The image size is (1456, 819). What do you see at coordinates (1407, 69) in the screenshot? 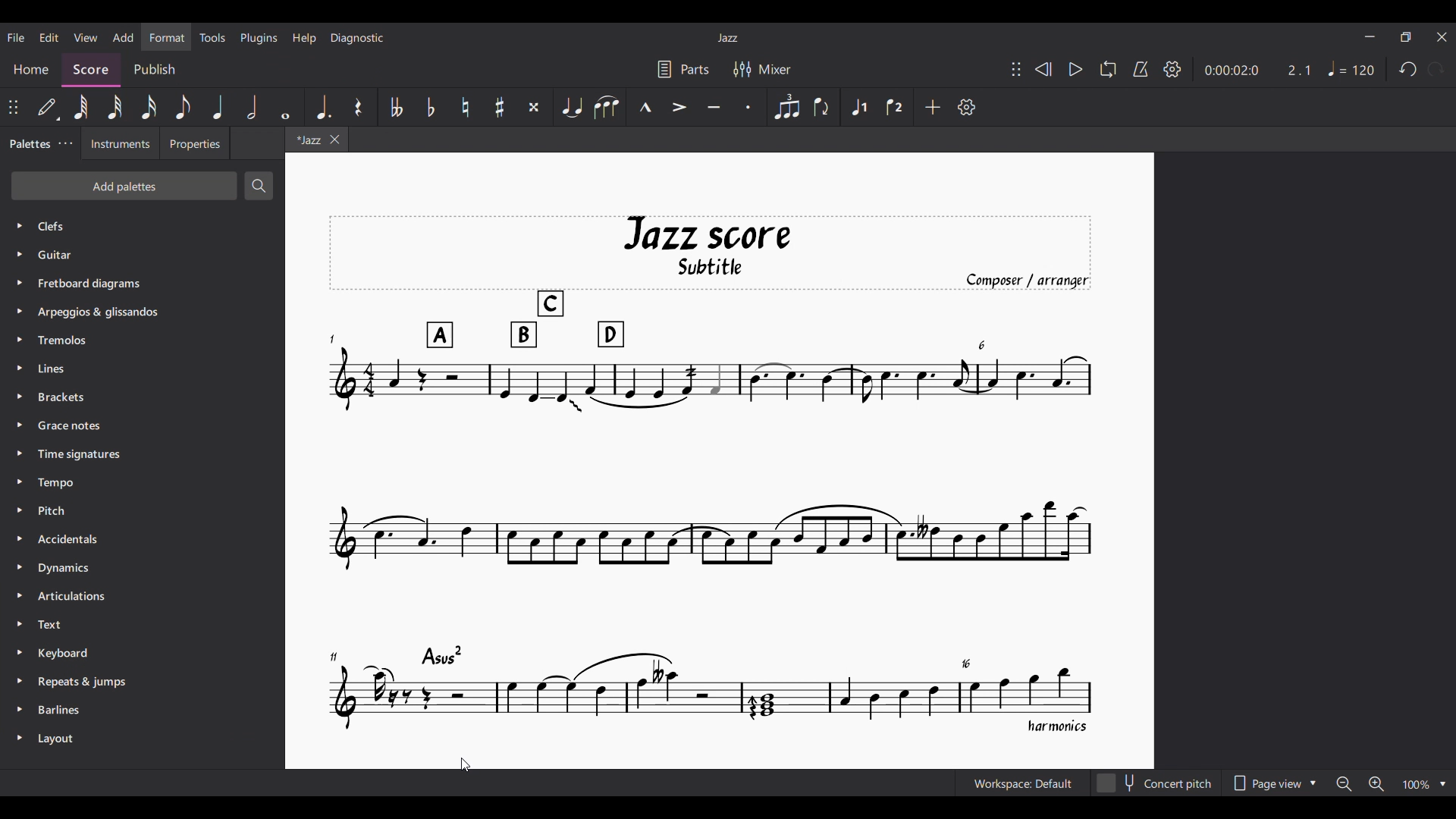
I see `Undo` at bounding box center [1407, 69].